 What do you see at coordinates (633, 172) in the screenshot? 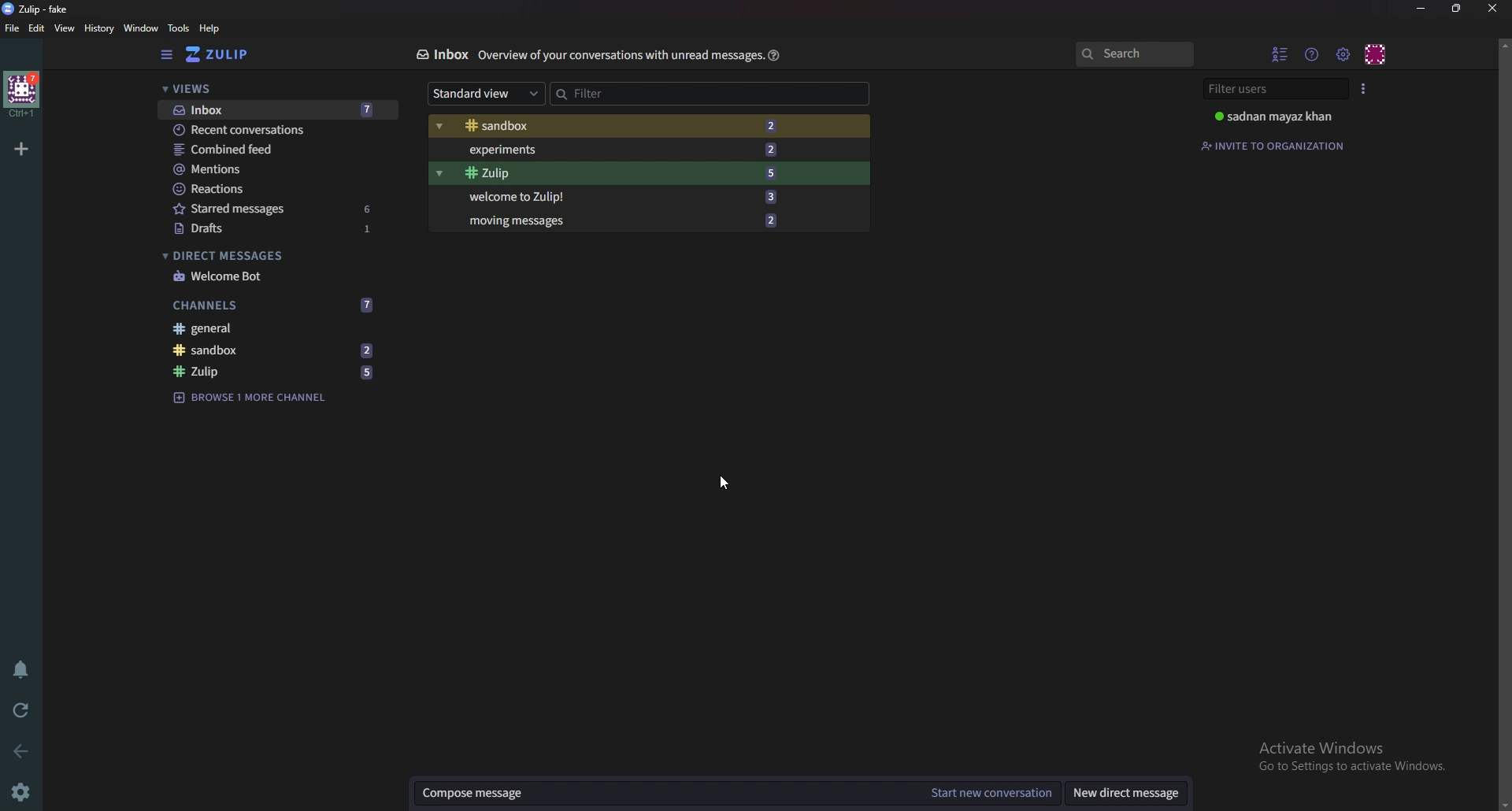
I see `zulip` at bounding box center [633, 172].